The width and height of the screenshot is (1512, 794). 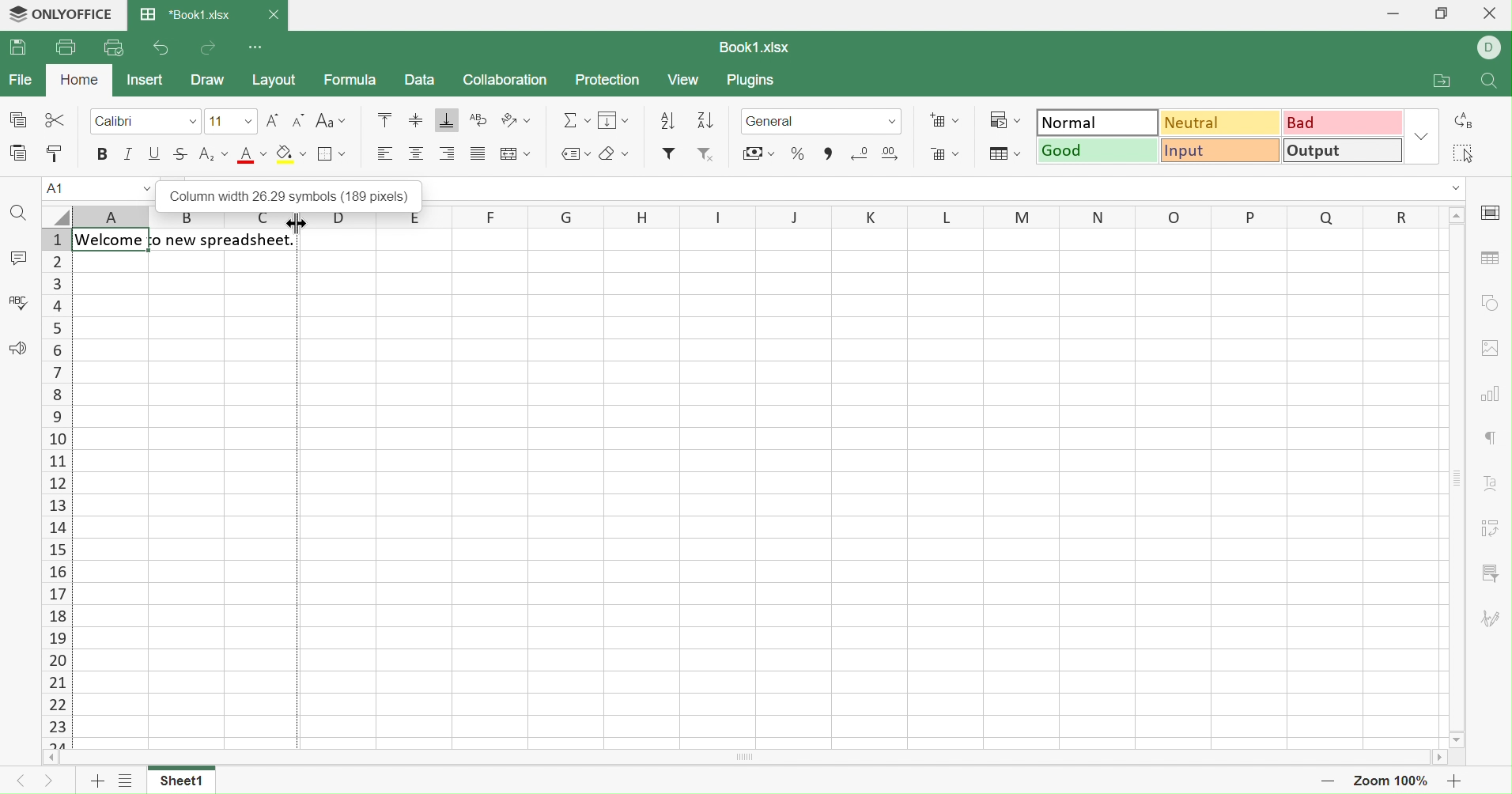 I want to click on cell settings, so click(x=1495, y=214).